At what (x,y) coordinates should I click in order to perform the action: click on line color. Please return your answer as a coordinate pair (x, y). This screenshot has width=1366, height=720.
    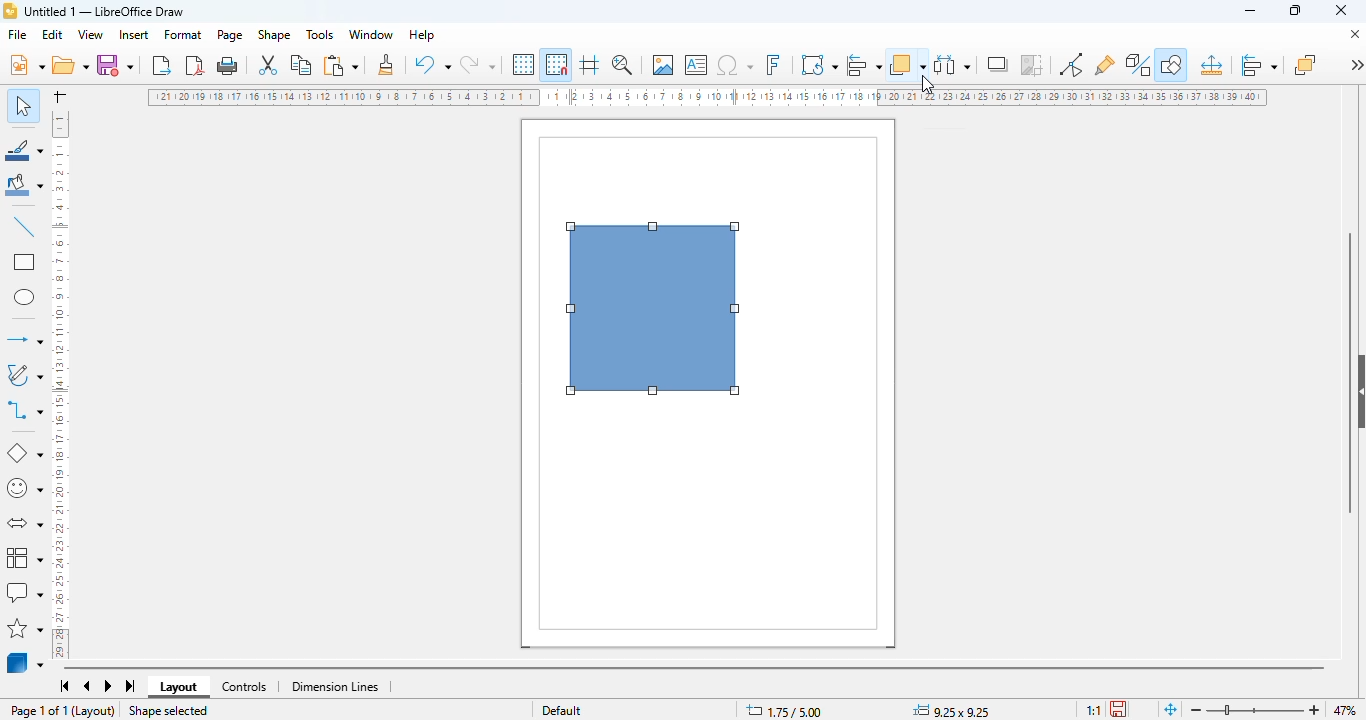
    Looking at the image, I should click on (25, 149).